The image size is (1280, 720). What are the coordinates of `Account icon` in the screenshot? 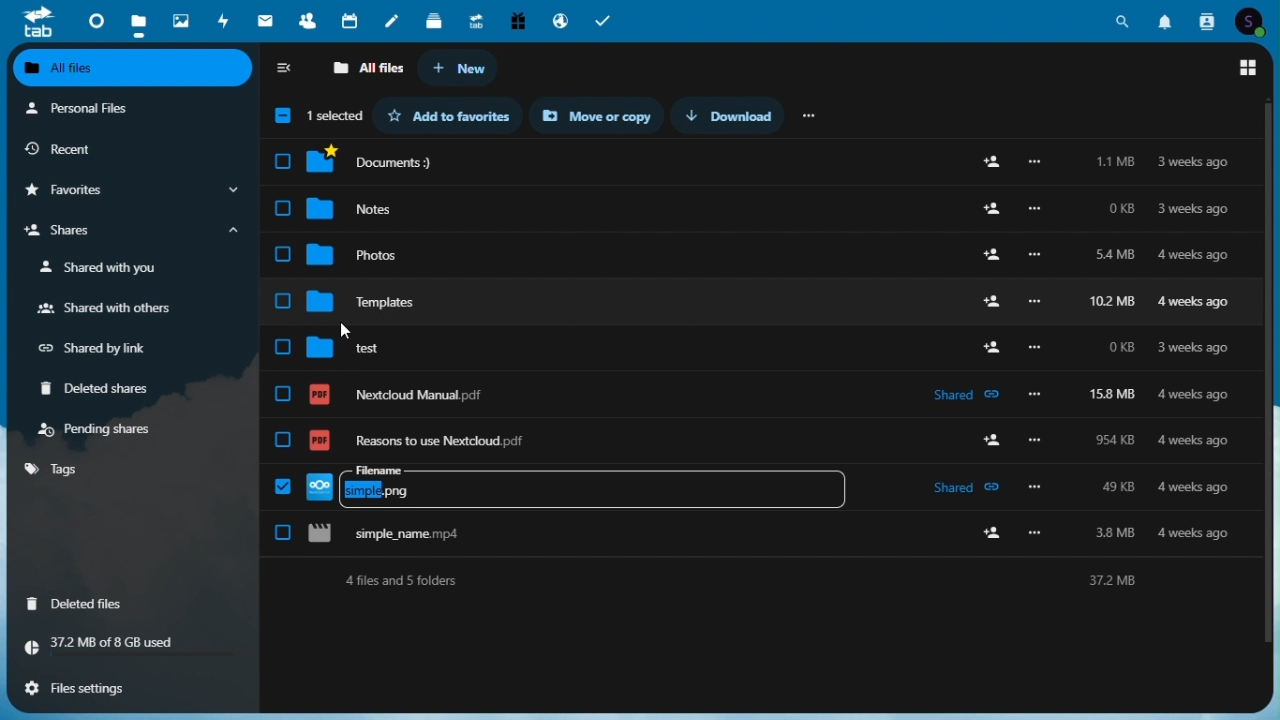 It's located at (1255, 19).